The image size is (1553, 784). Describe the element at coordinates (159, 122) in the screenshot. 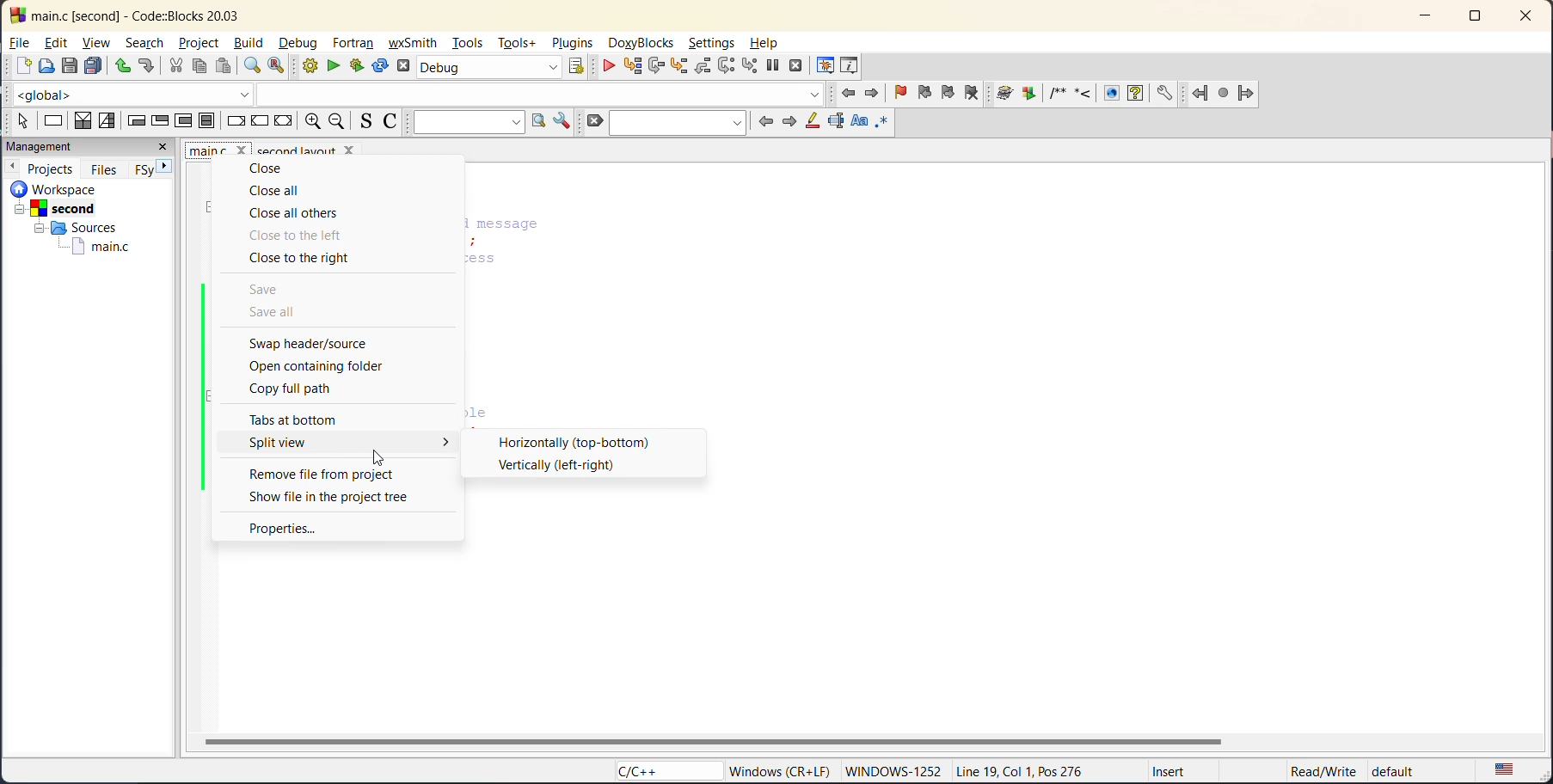

I see `exit condition loop` at that location.